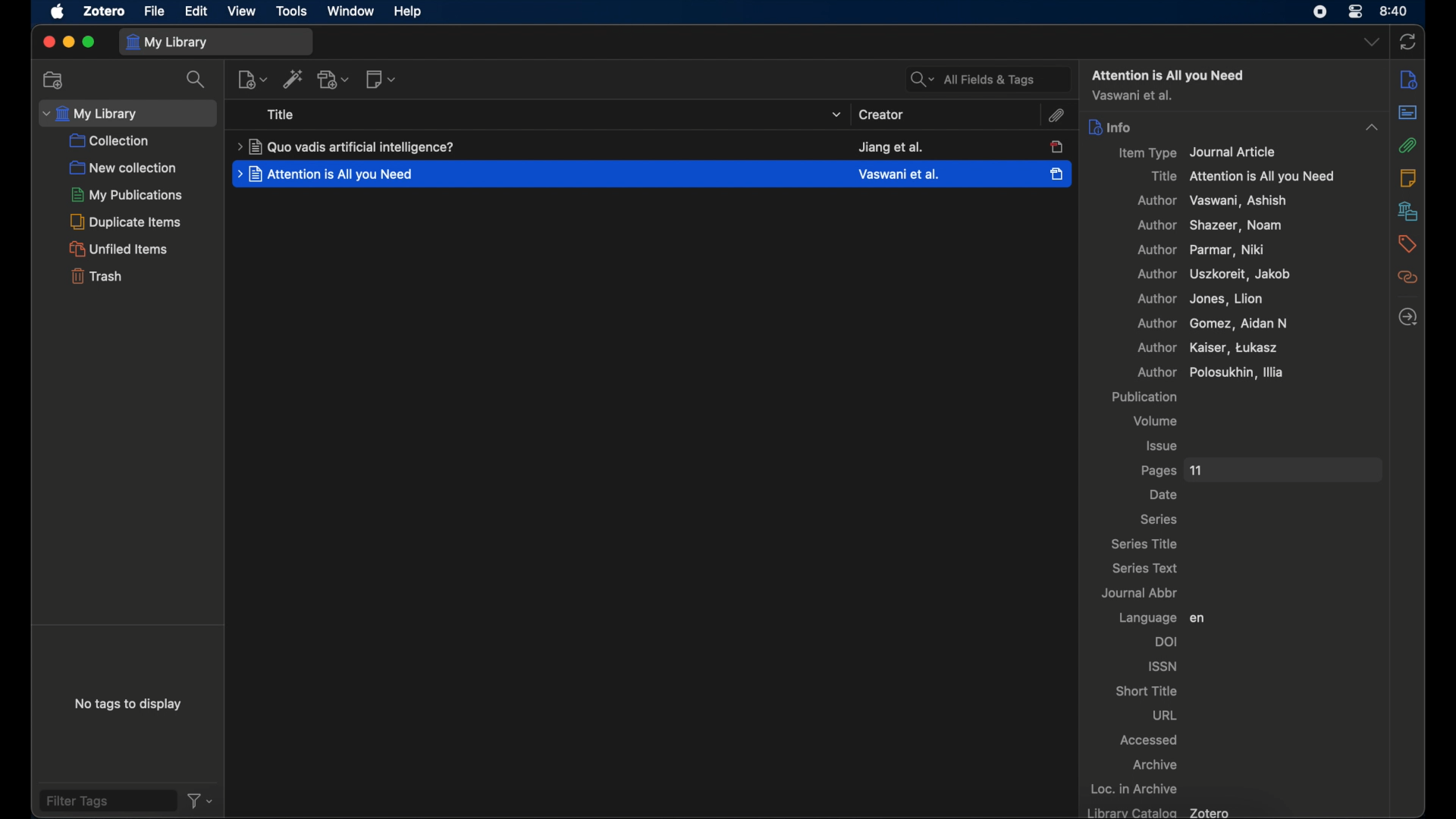 The width and height of the screenshot is (1456, 819). I want to click on new collection, so click(123, 168).